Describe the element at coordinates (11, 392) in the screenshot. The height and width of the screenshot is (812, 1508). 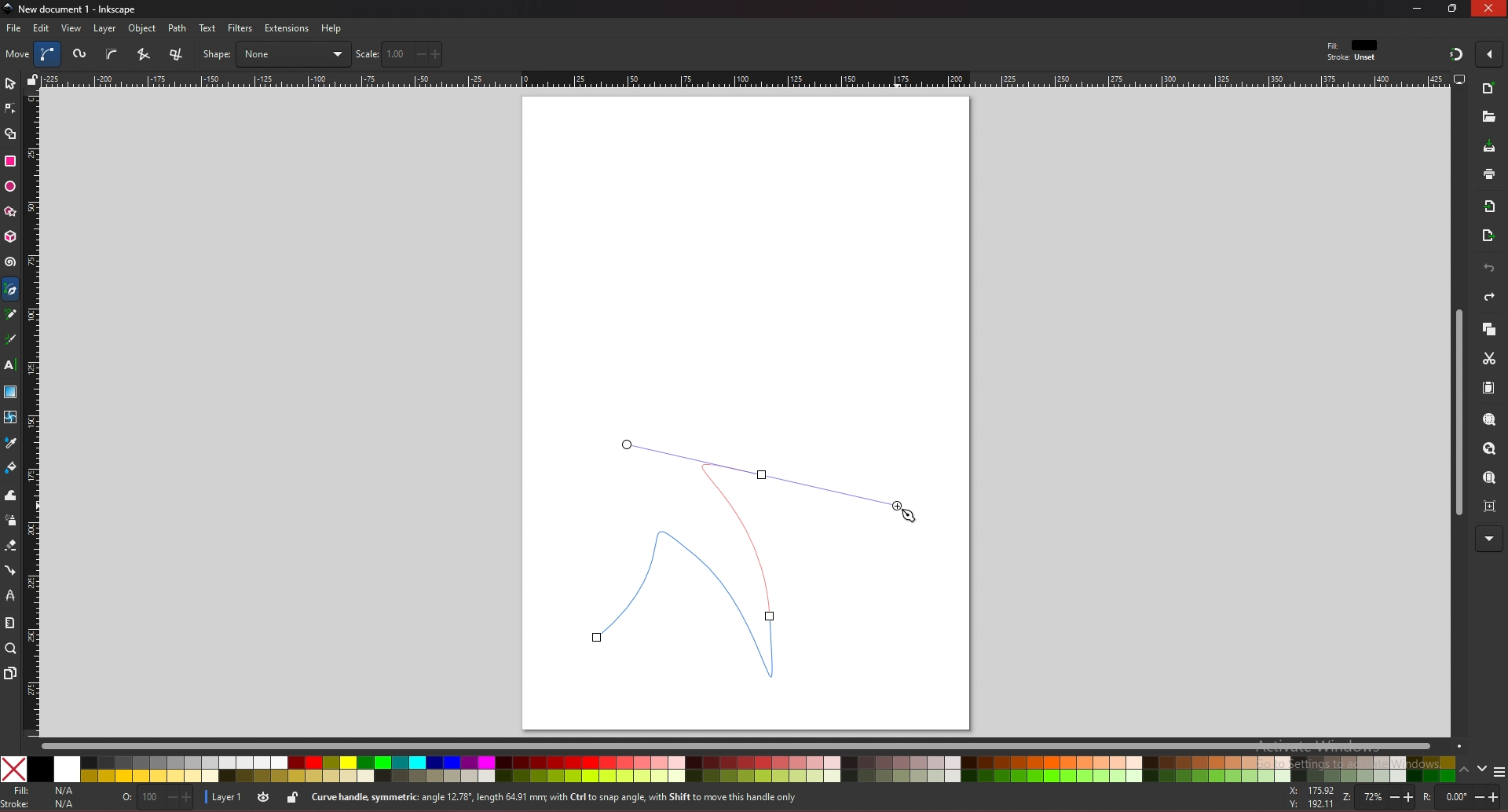
I see `gradient` at that location.